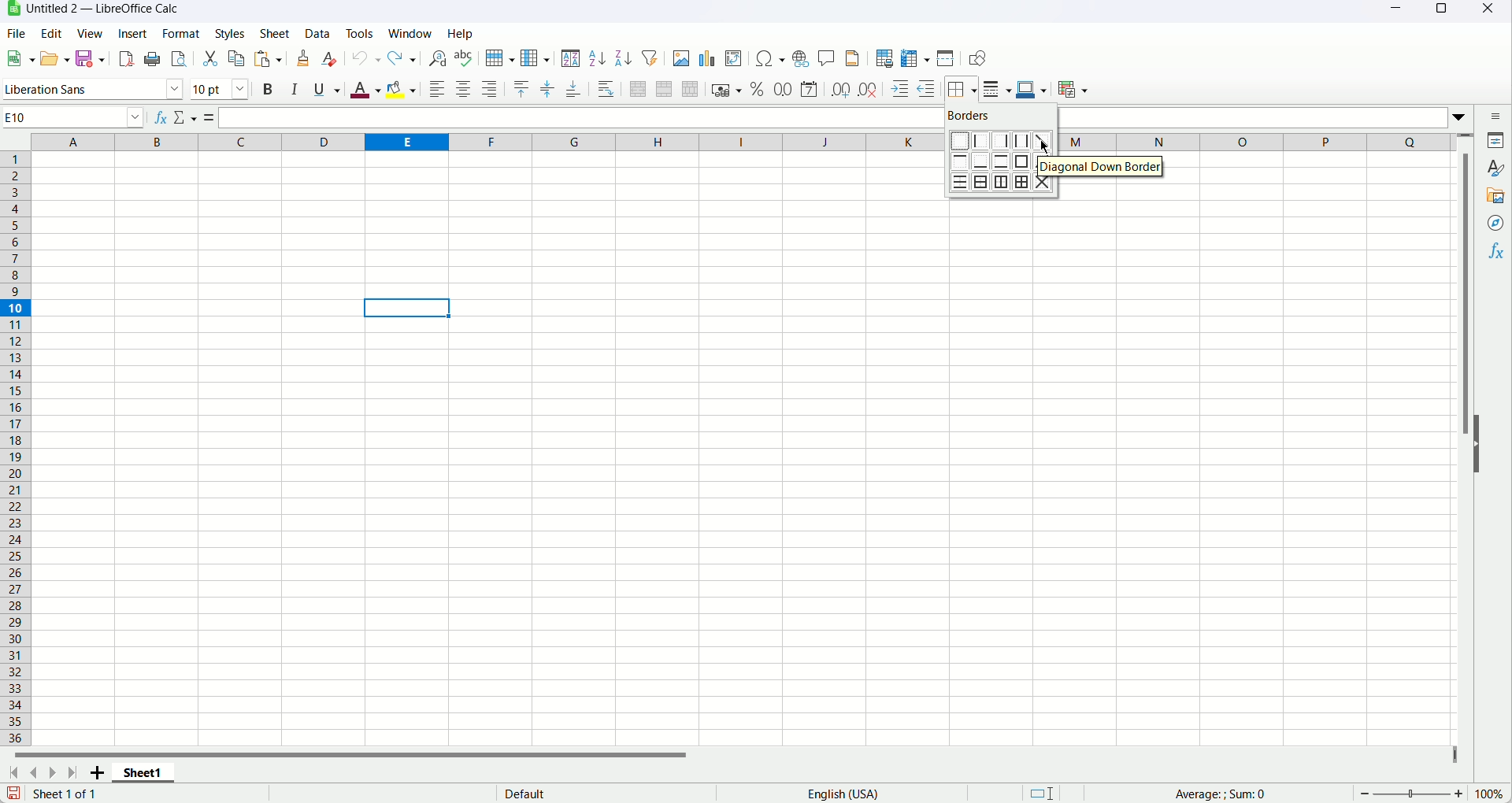 This screenshot has height=803, width=1512. I want to click on Insert or edit pivot table, so click(734, 59).